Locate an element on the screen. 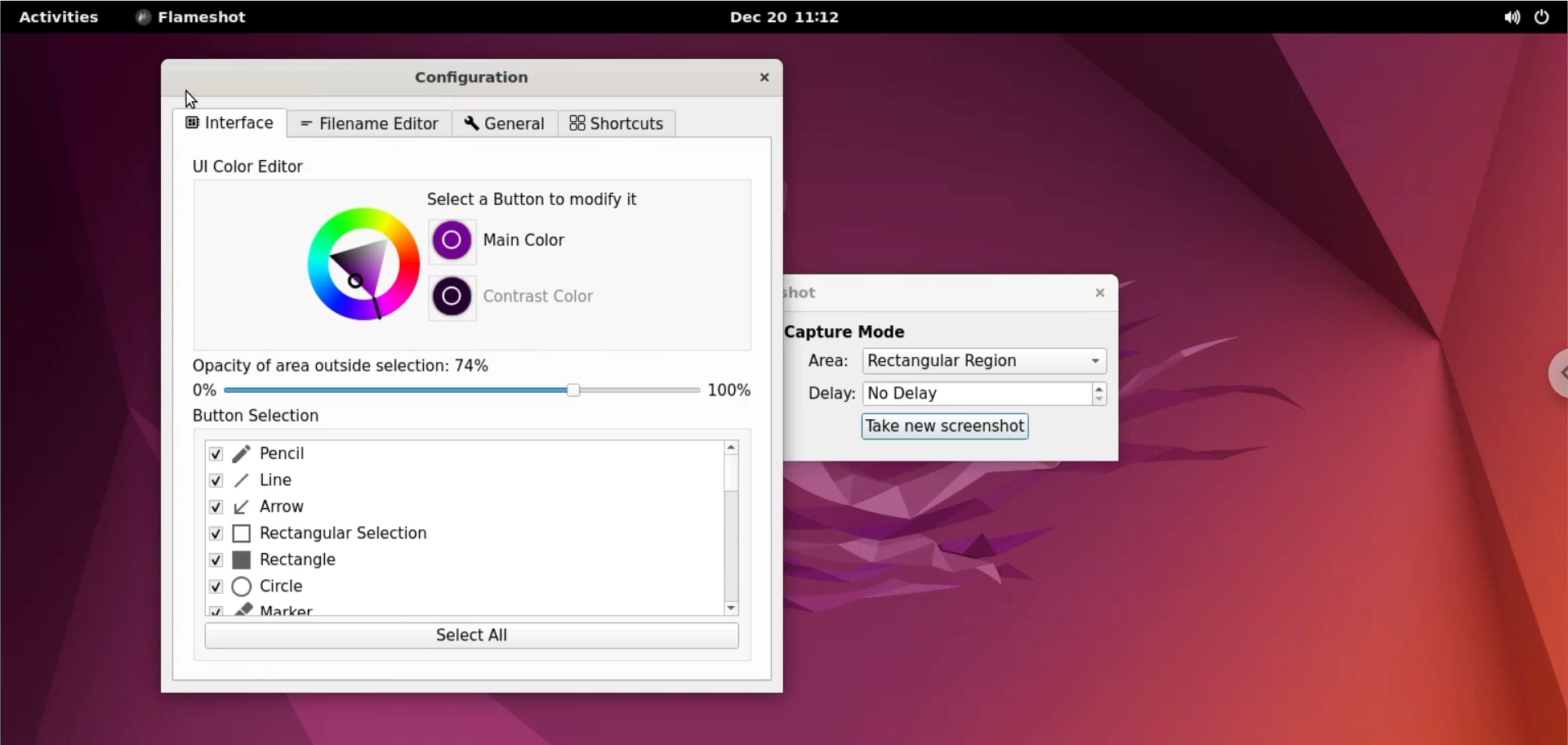 This screenshot has width=1568, height=745. Dec 20 11:12 is located at coordinates (786, 17).